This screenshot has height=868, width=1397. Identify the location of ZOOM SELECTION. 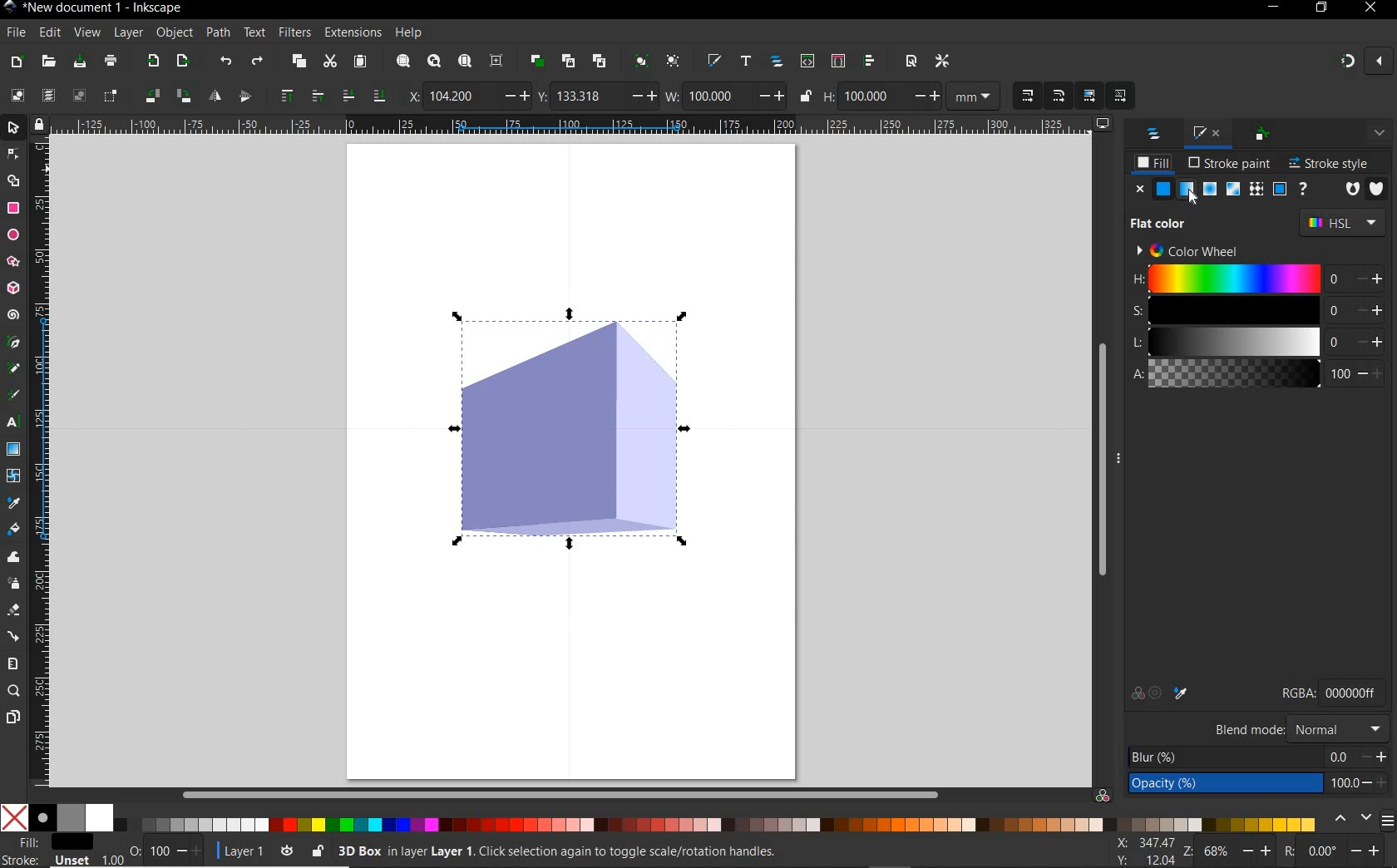
(402, 60).